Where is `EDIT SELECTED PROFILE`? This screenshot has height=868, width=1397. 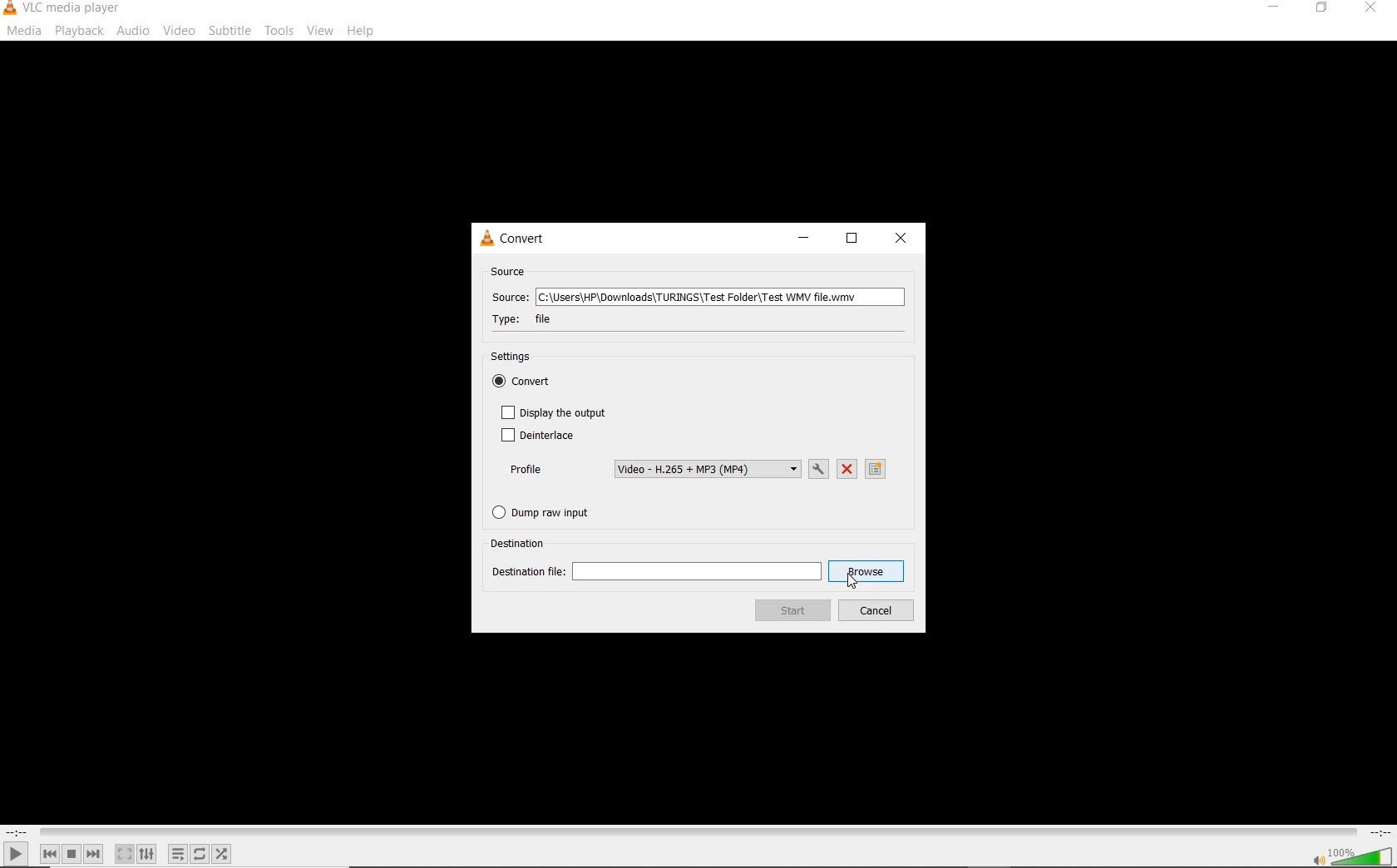
EDIT SELECTED PROFILE is located at coordinates (818, 469).